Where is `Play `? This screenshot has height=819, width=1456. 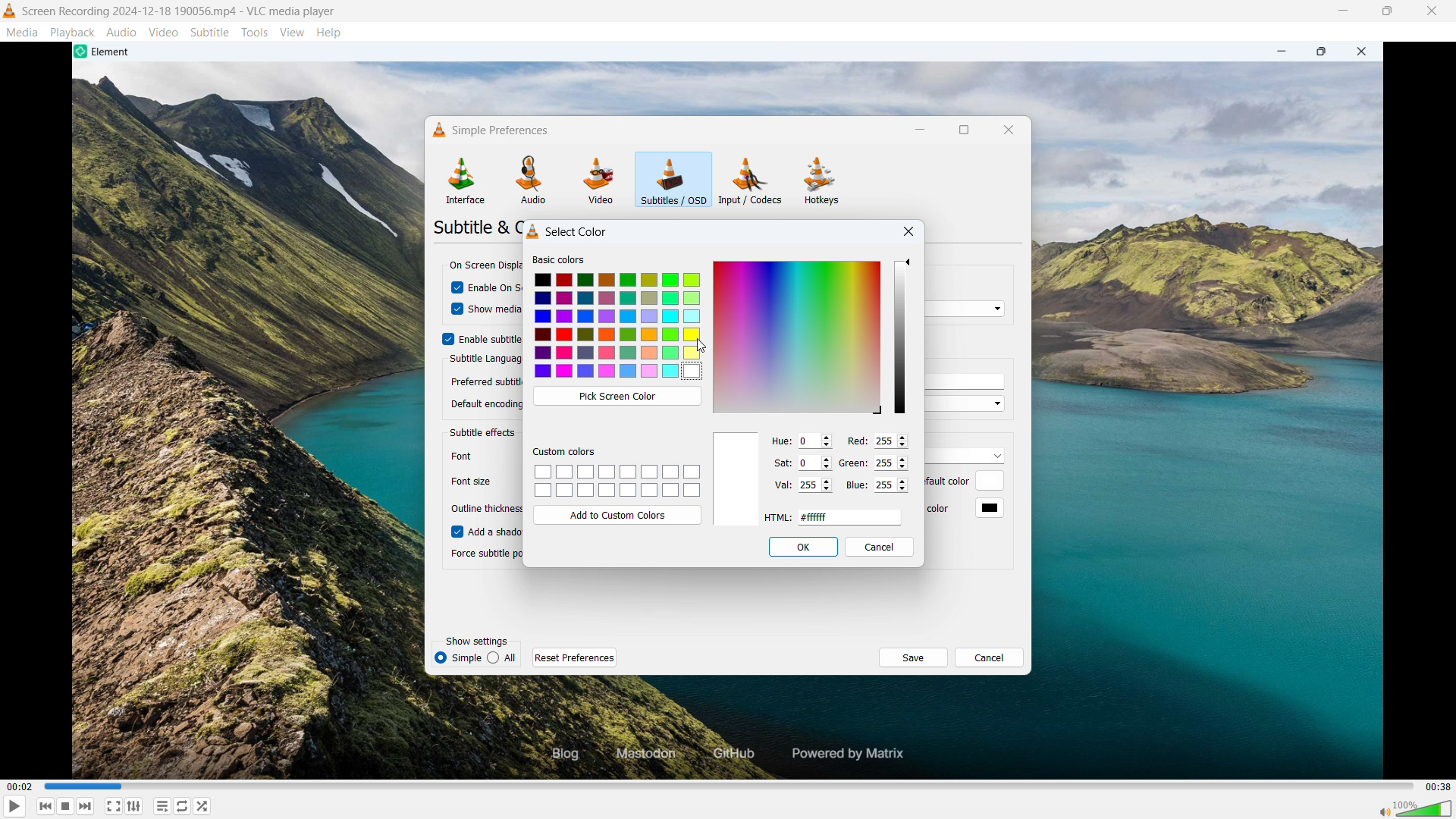 Play  is located at coordinates (14, 806).